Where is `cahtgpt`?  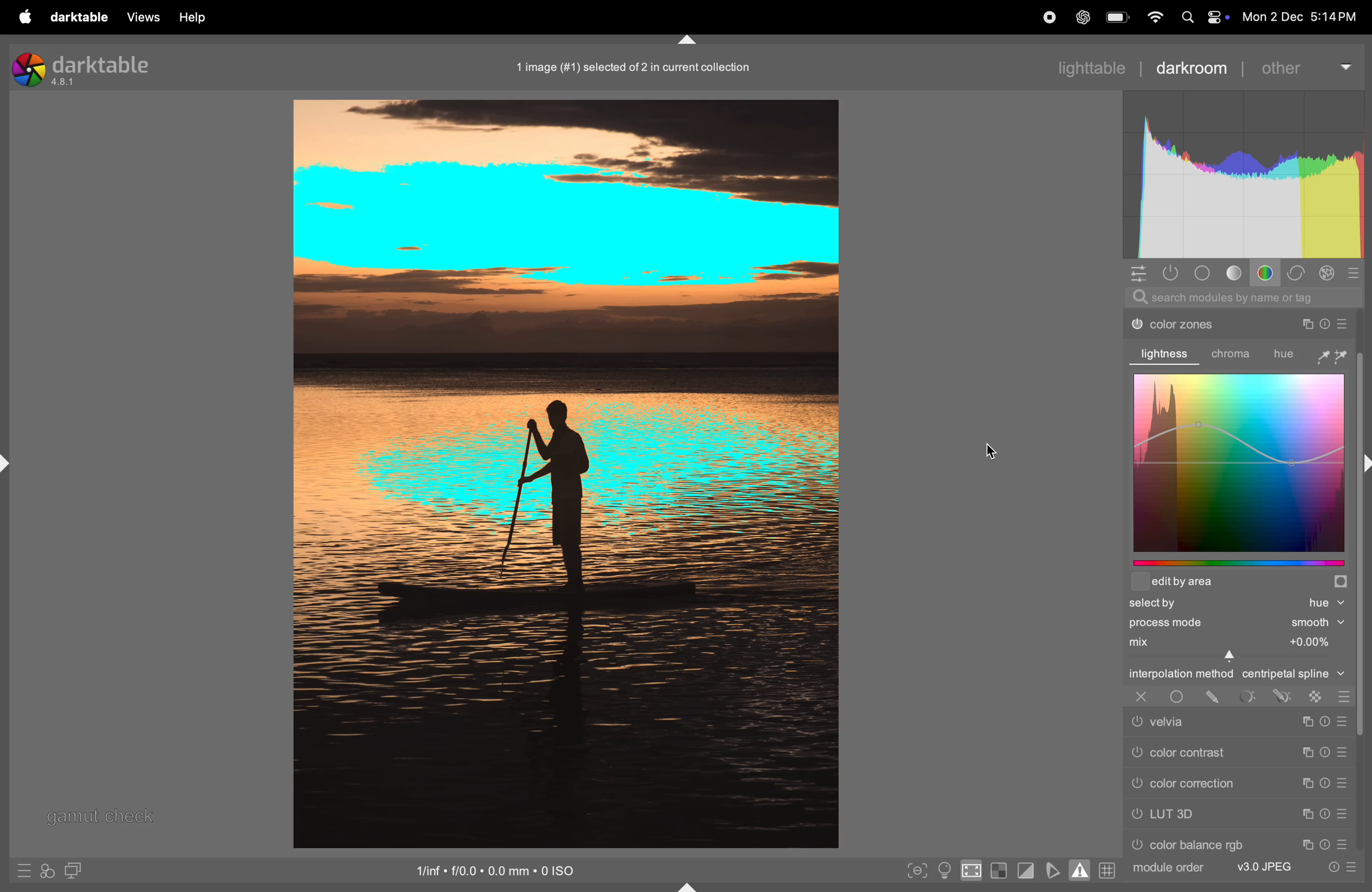
cahtgpt is located at coordinates (1081, 17).